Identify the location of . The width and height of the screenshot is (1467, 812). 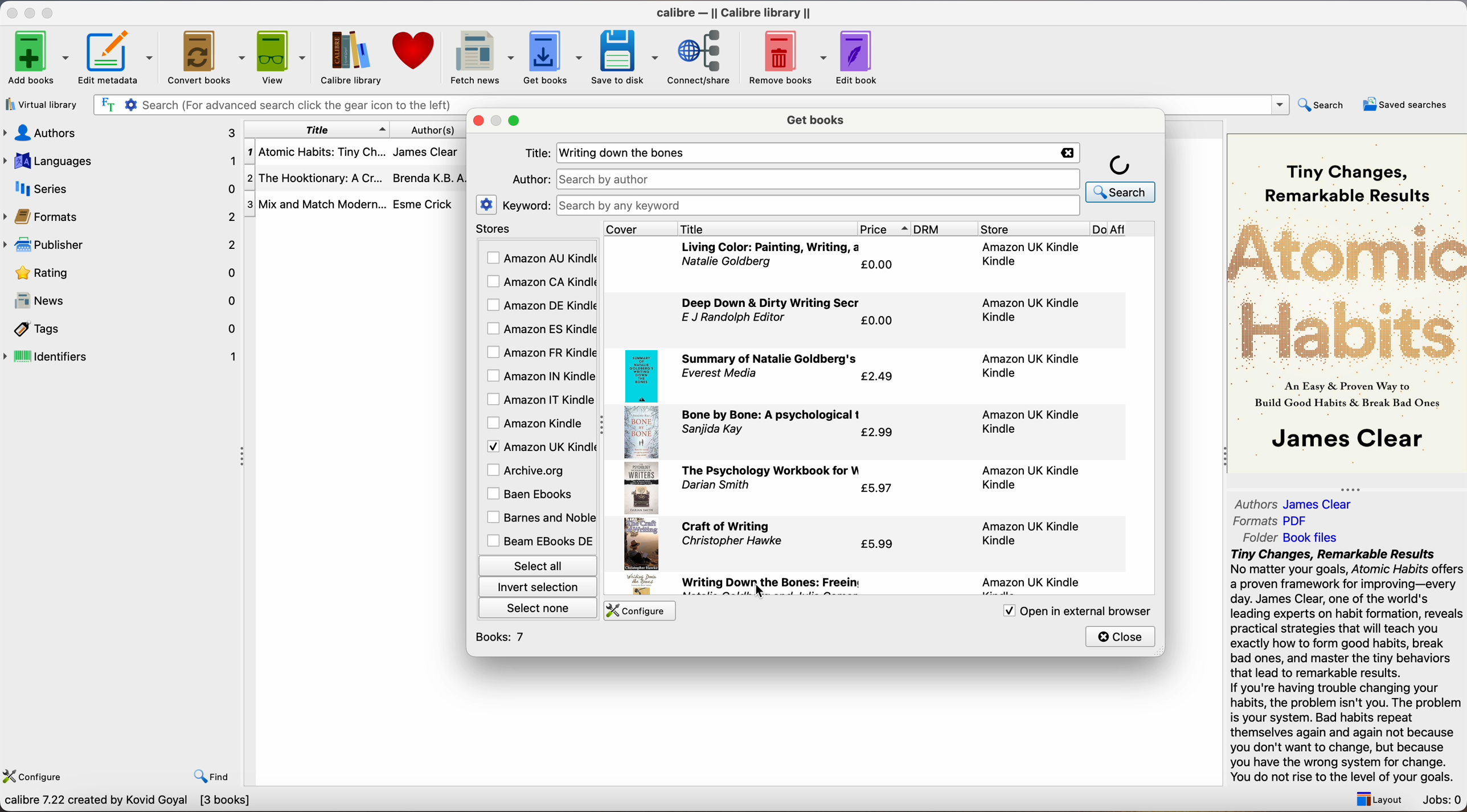
(726, 263).